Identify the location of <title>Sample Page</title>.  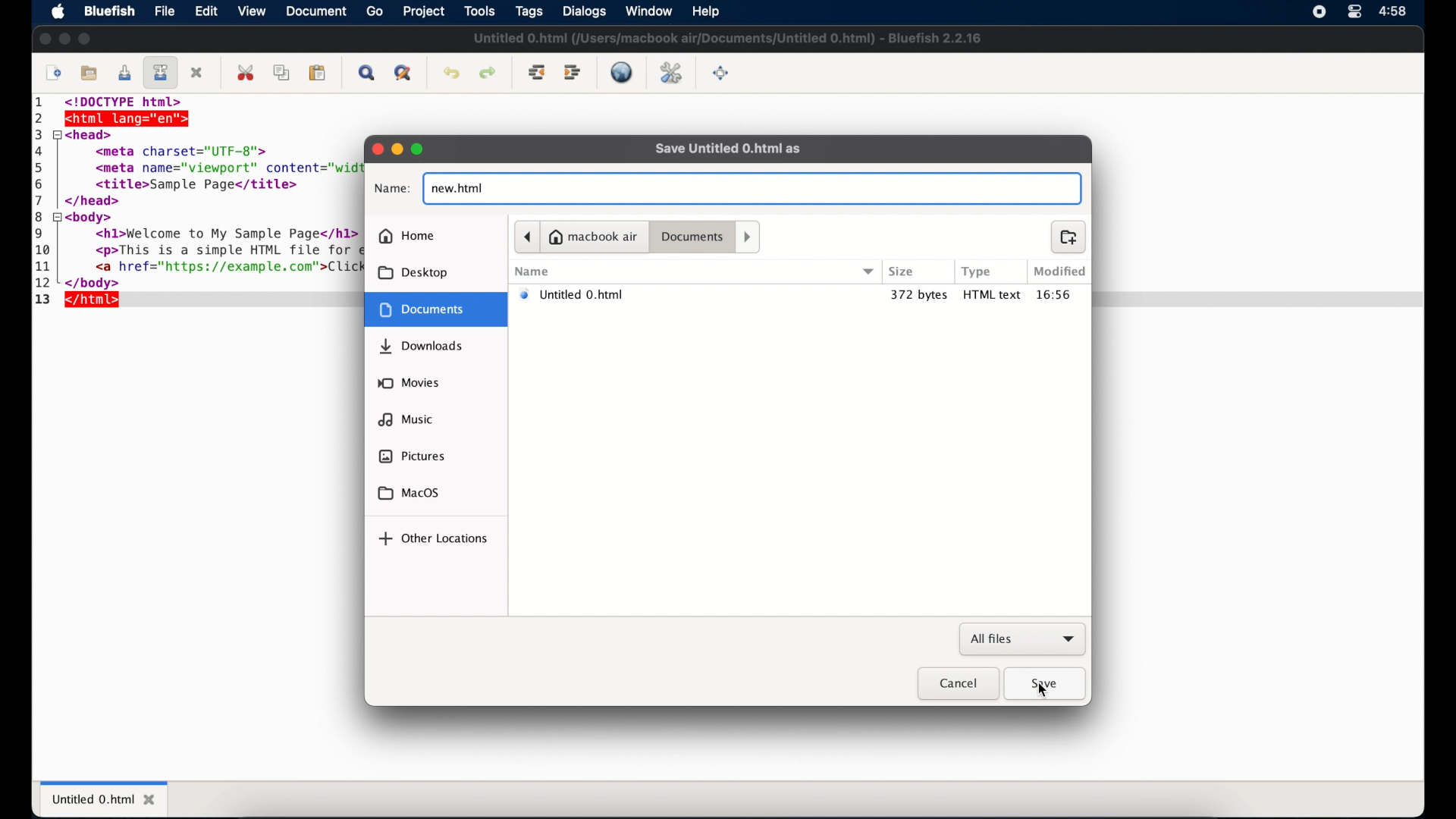
(189, 185).